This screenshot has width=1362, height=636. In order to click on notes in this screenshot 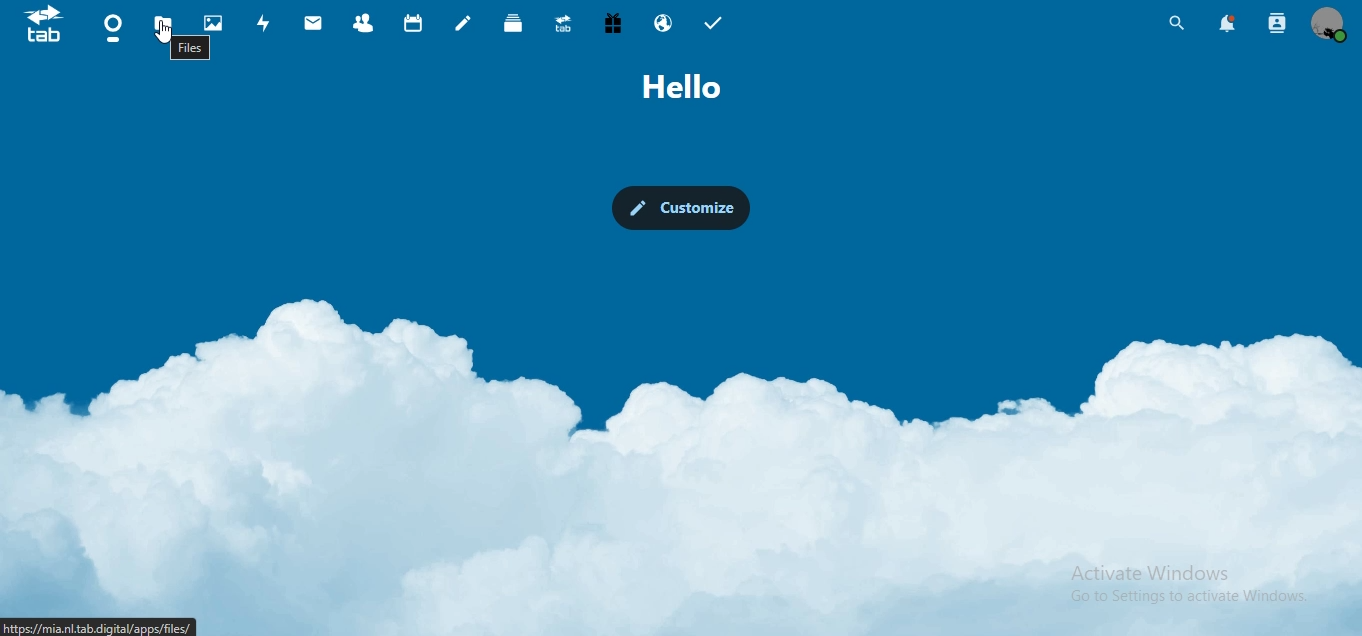, I will do `click(462, 24)`.